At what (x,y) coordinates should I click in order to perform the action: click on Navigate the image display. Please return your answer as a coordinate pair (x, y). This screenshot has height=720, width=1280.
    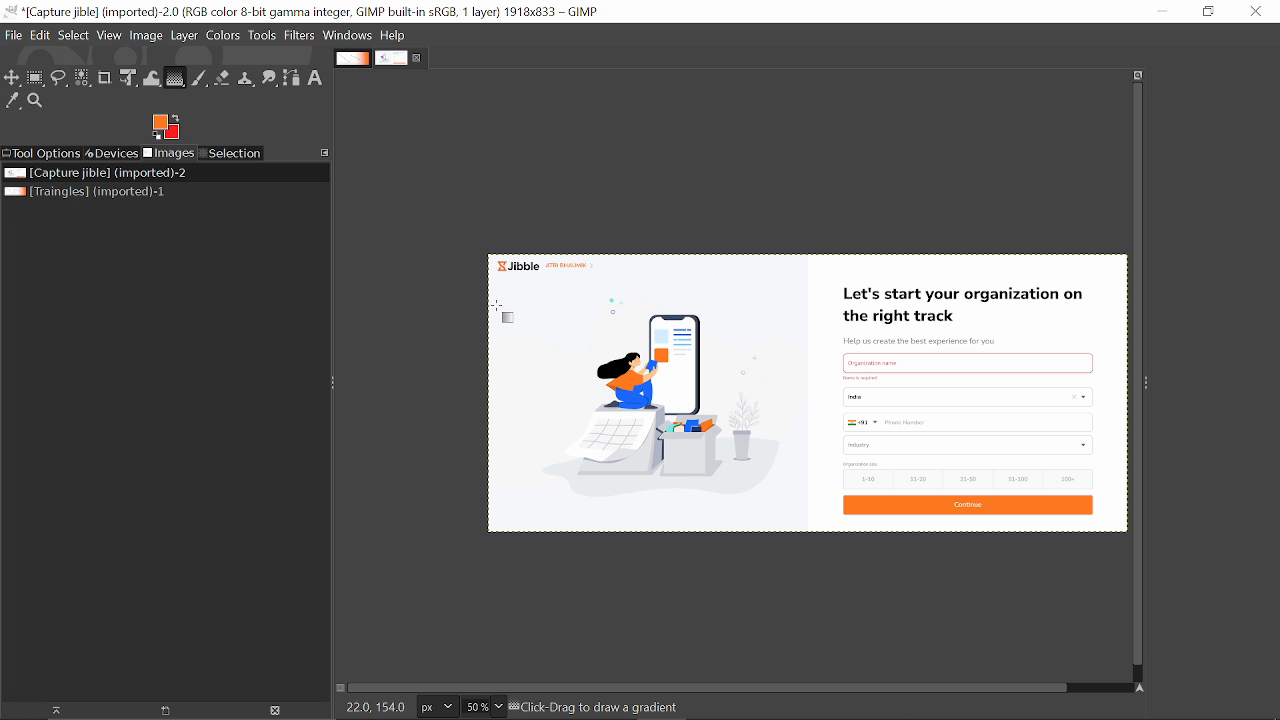
    Looking at the image, I should click on (1139, 687).